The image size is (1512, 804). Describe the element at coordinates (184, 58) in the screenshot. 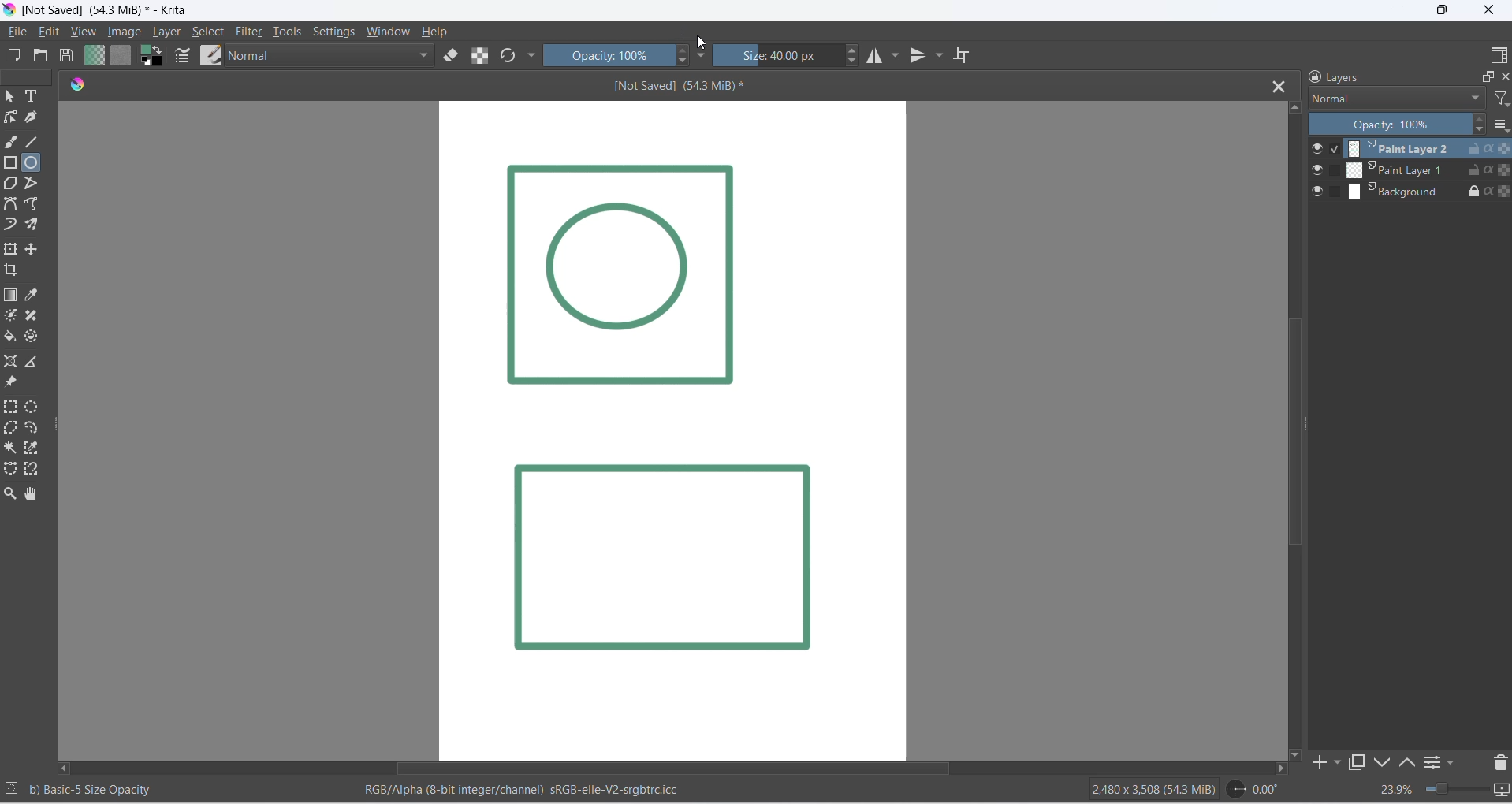

I see `edit brush settings` at that location.